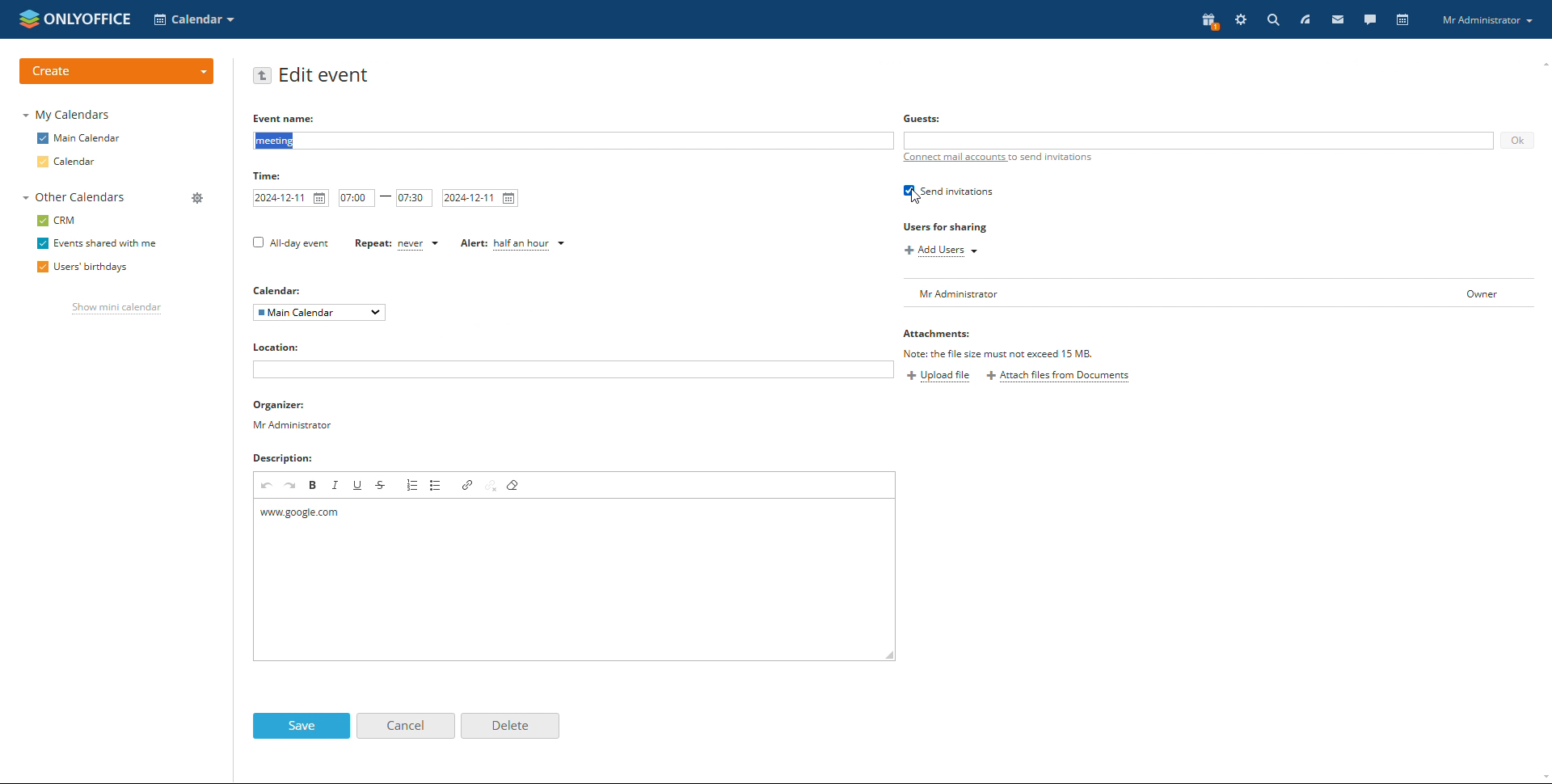 The width and height of the screenshot is (1552, 784). What do you see at coordinates (414, 485) in the screenshot?
I see `insert/remove numbered list` at bounding box center [414, 485].